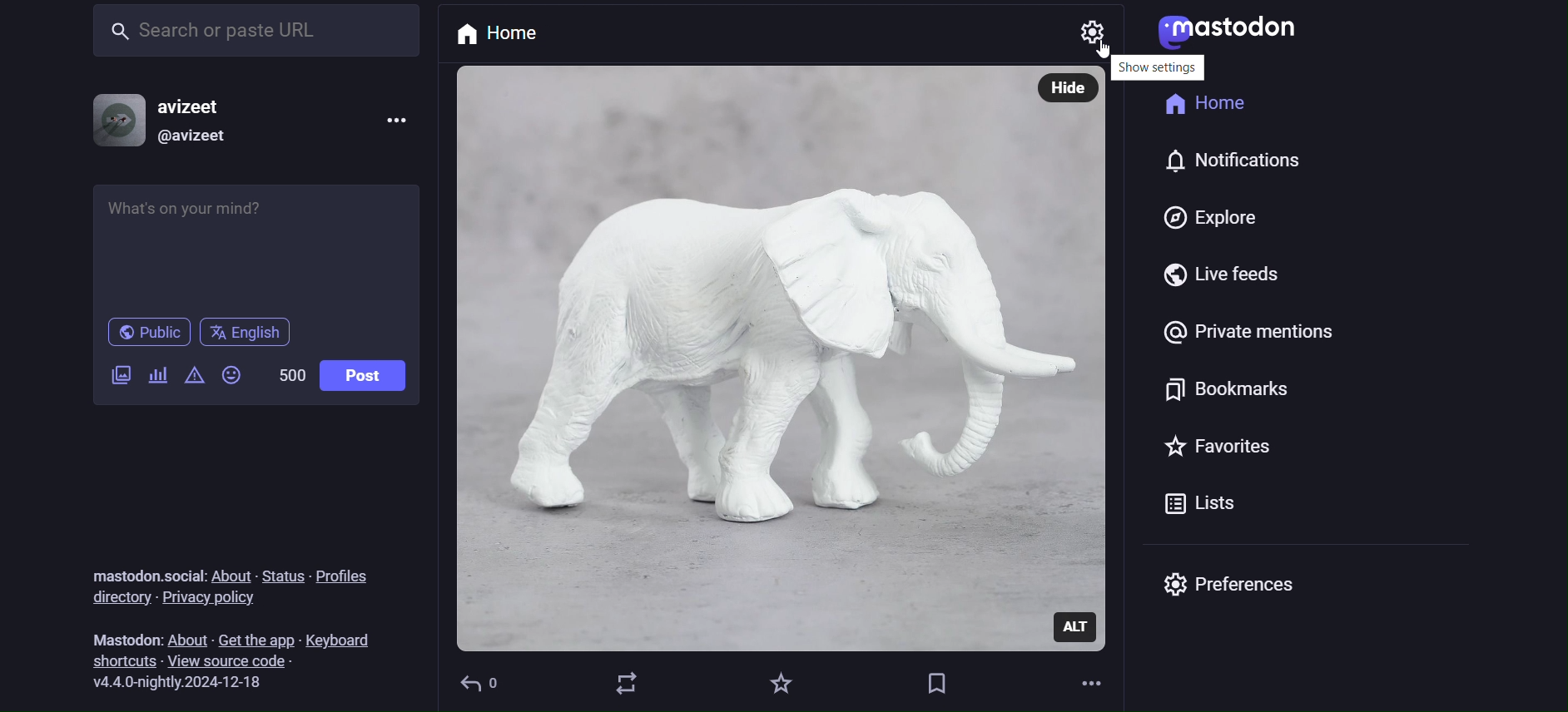  Describe the element at coordinates (344, 576) in the screenshot. I see `Profiles` at that location.